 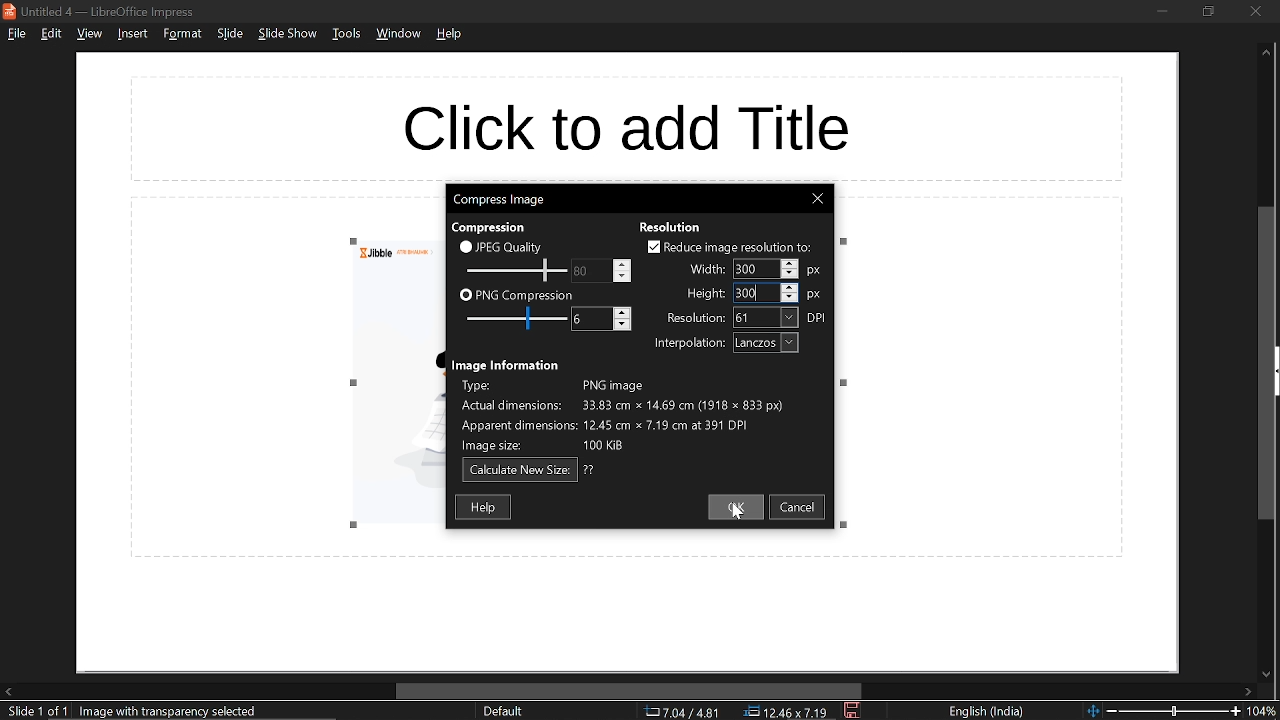 I want to click on format, so click(x=182, y=34).